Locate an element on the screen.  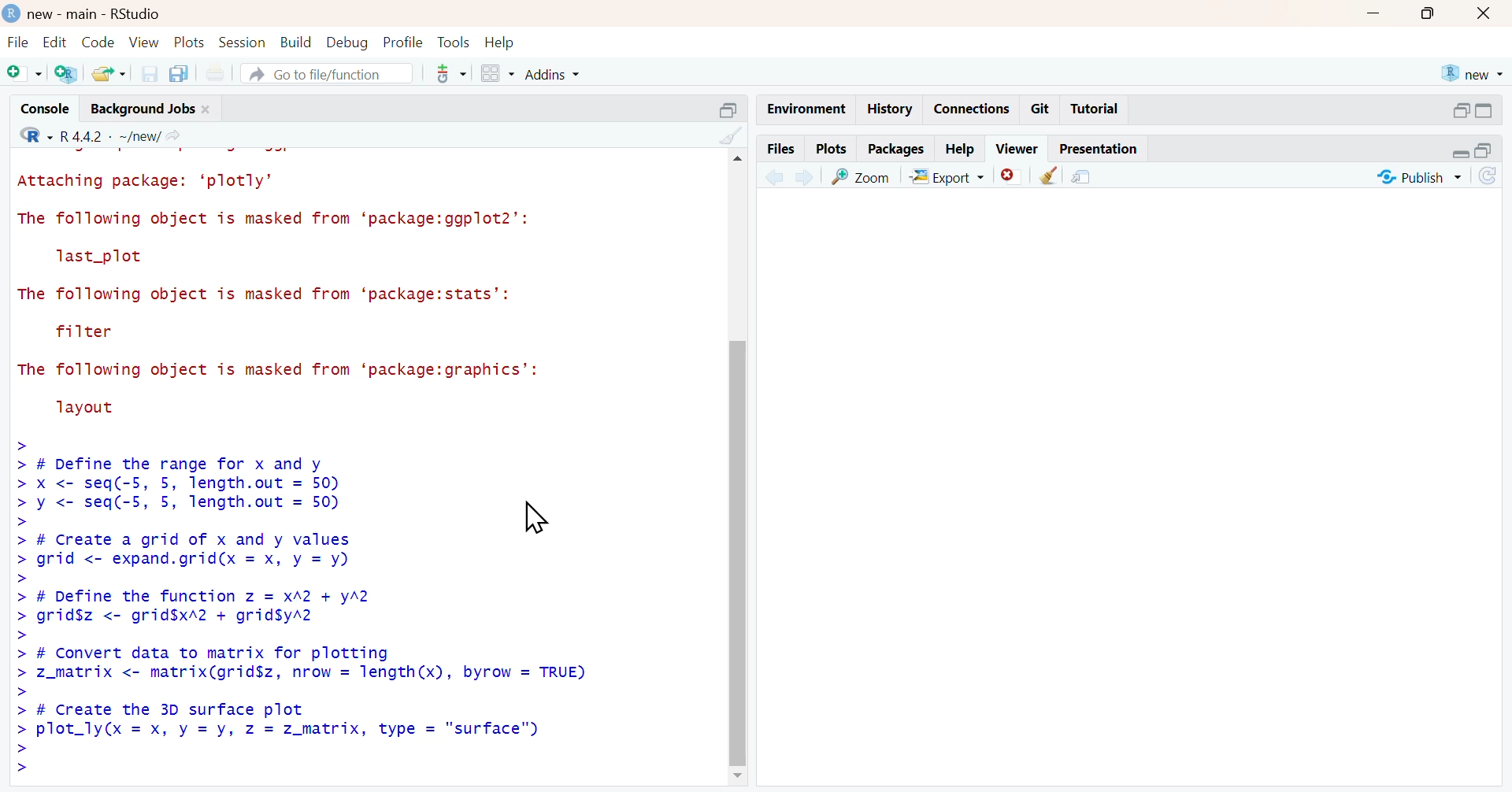
select language is located at coordinates (28, 134).